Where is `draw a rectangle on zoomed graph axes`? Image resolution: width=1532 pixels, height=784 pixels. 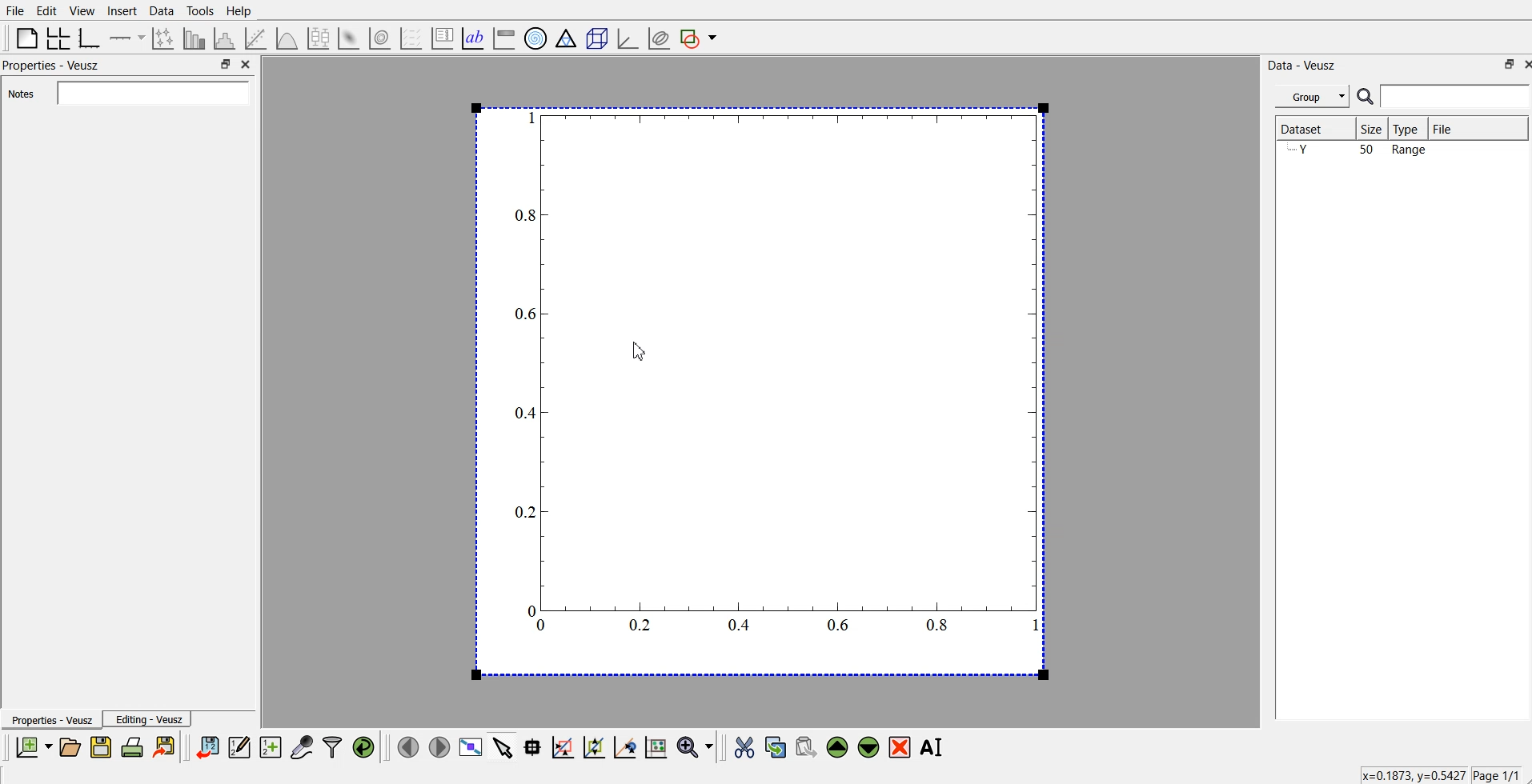
draw a rectangle on zoomed graph axes is located at coordinates (563, 749).